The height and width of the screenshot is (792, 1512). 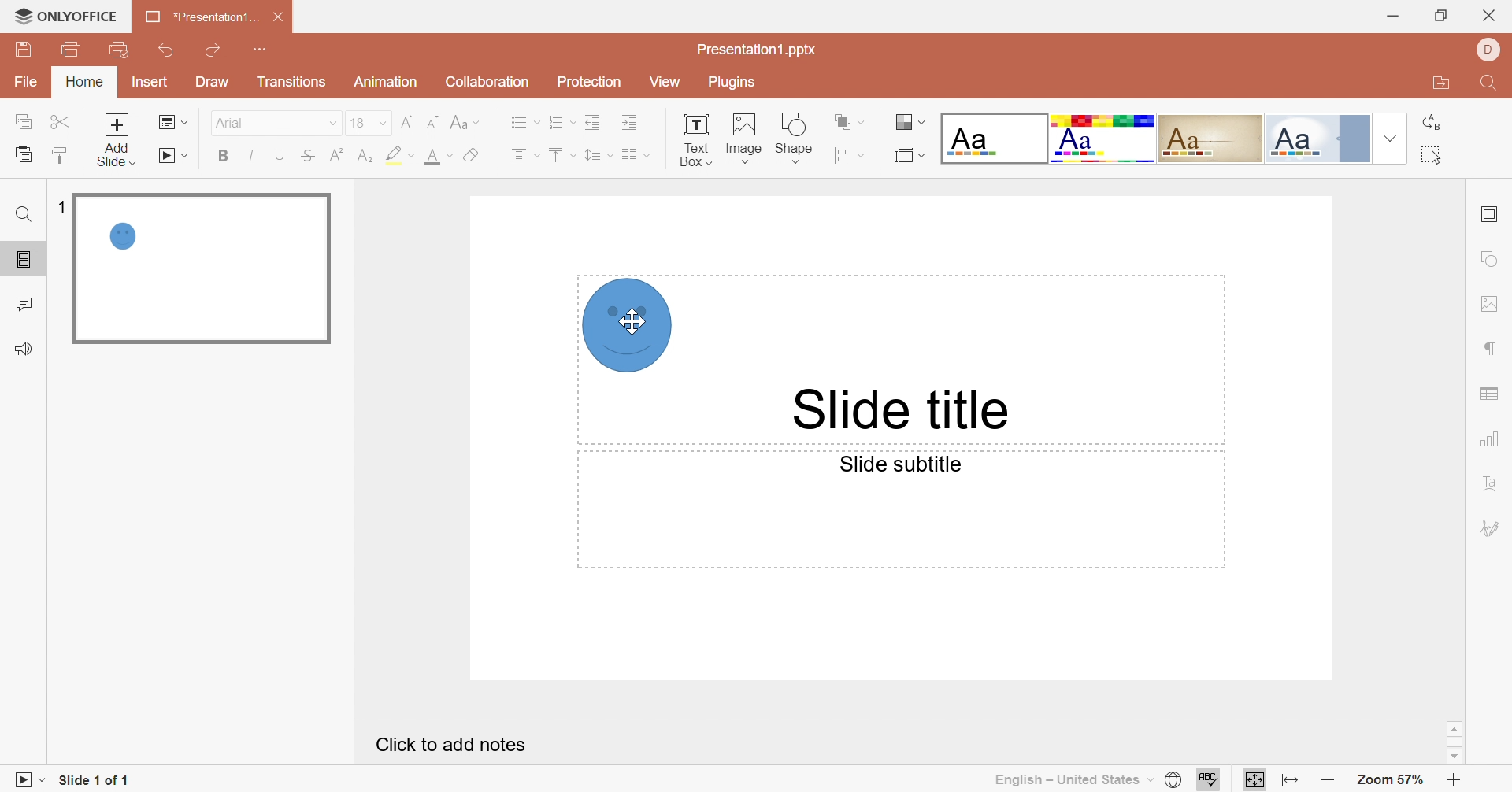 I want to click on DELL, so click(x=1487, y=49).